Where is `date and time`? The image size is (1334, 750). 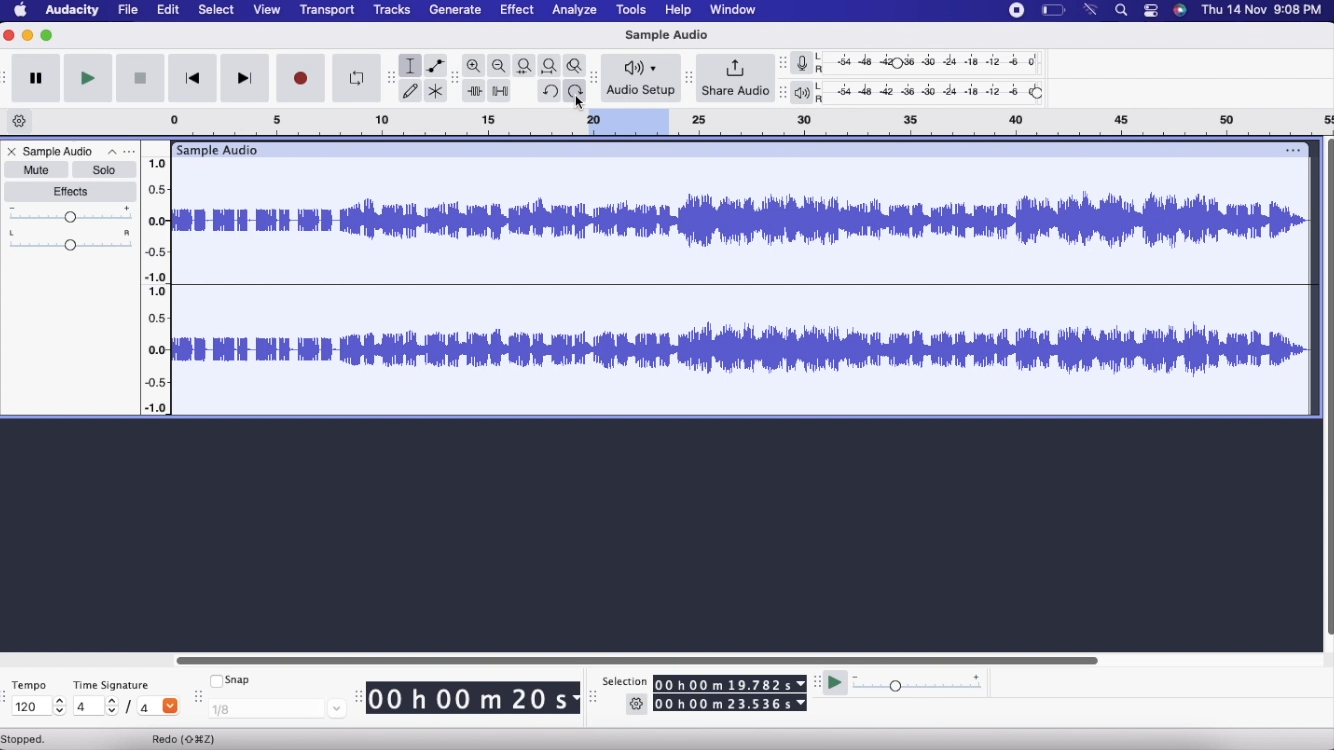 date and time is located at coordinates (1262, 9).